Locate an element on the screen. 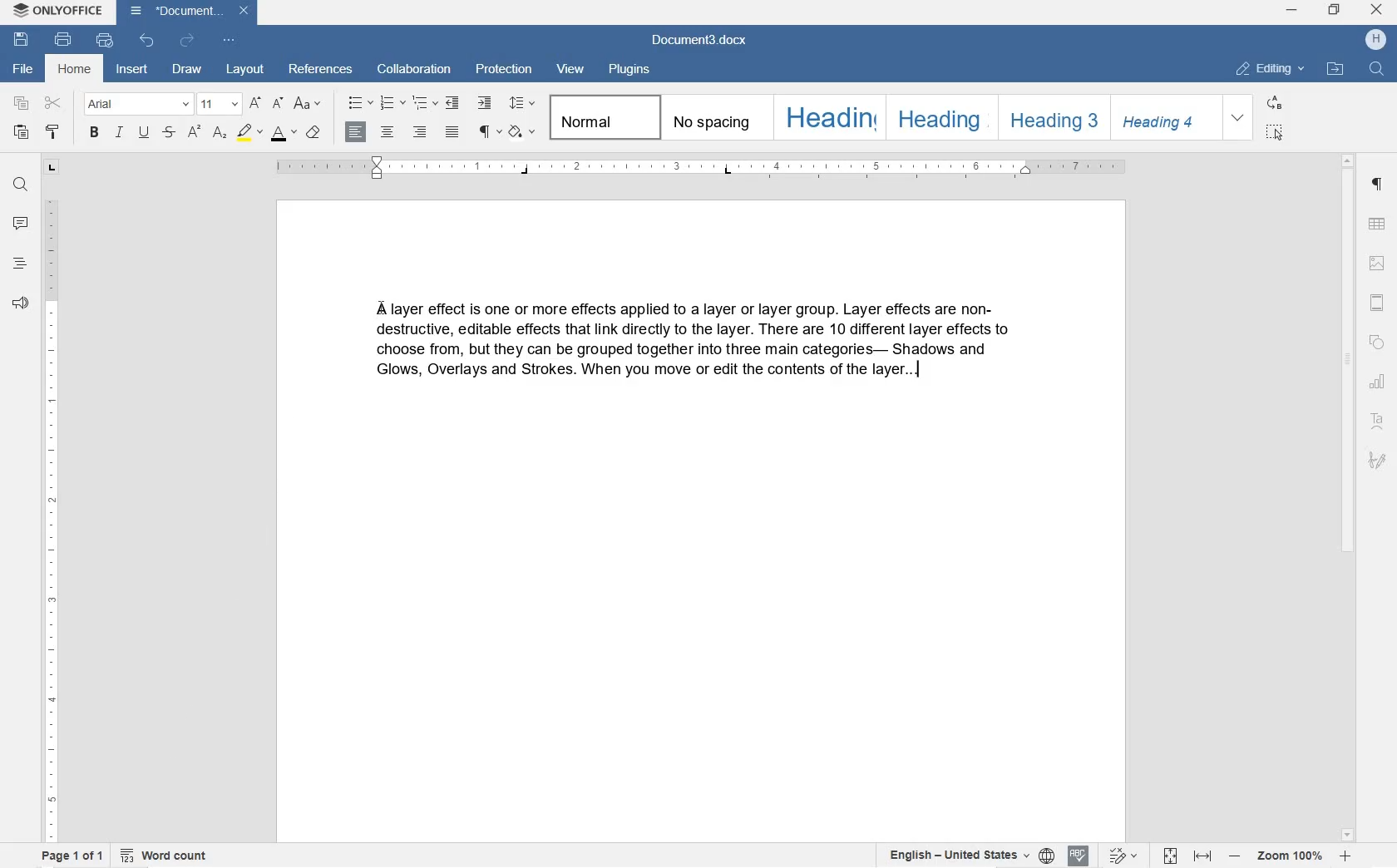 The image size is (1397, 868). SAVE is located at coordinates (22, 42).